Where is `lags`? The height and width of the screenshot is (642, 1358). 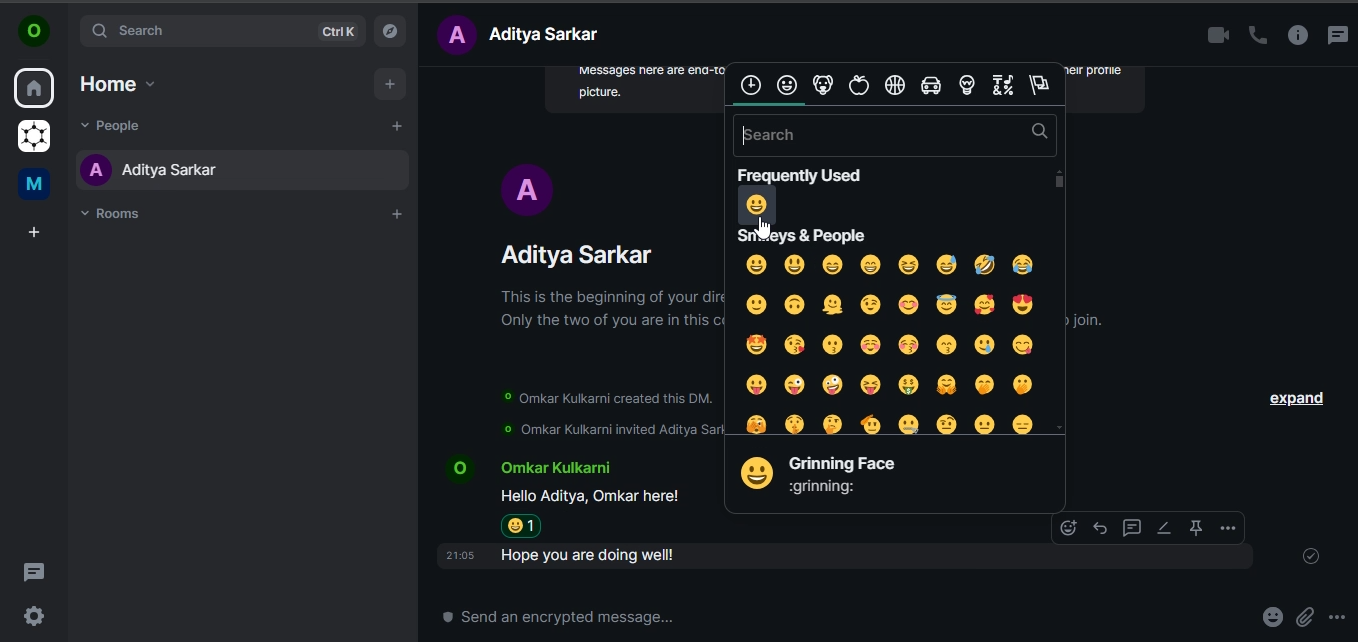 lags is located at coordinates (1043, 85).